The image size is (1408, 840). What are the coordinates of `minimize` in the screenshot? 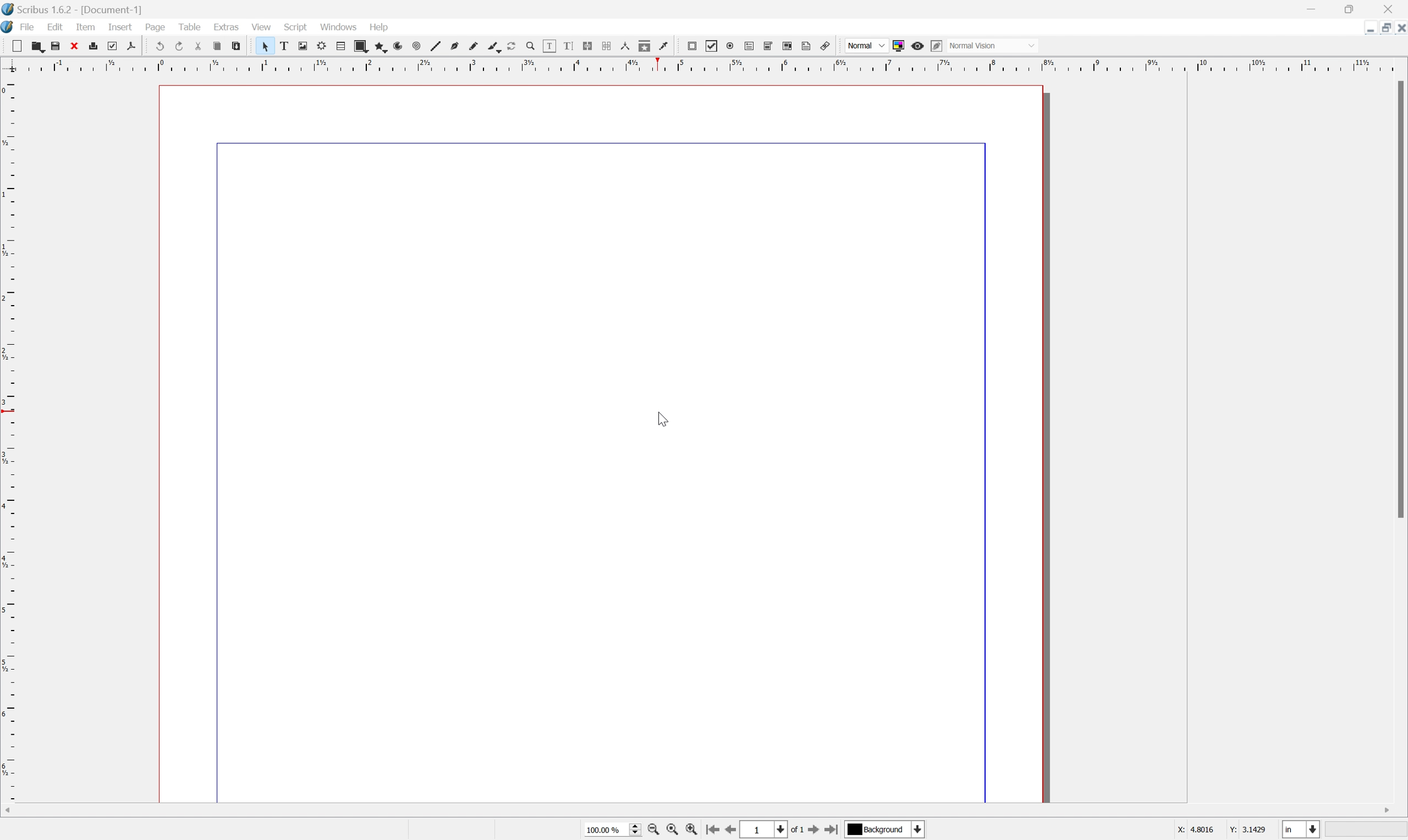 It's located at (1311, 7).